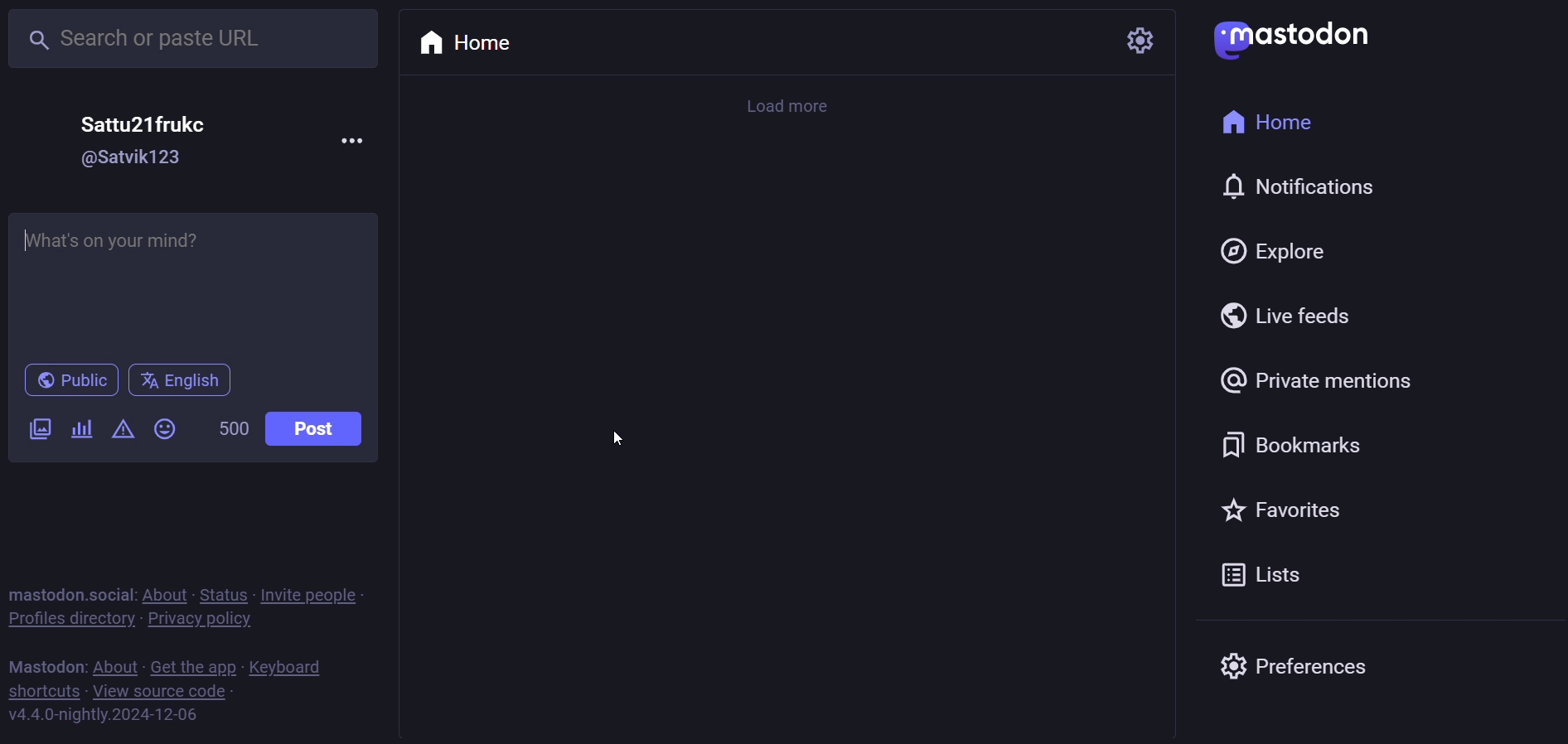 This screenshot has height=744, width=1568. Describe the element at coordinates (40, 690) in the screenshot. I see `shortcut` at that location.